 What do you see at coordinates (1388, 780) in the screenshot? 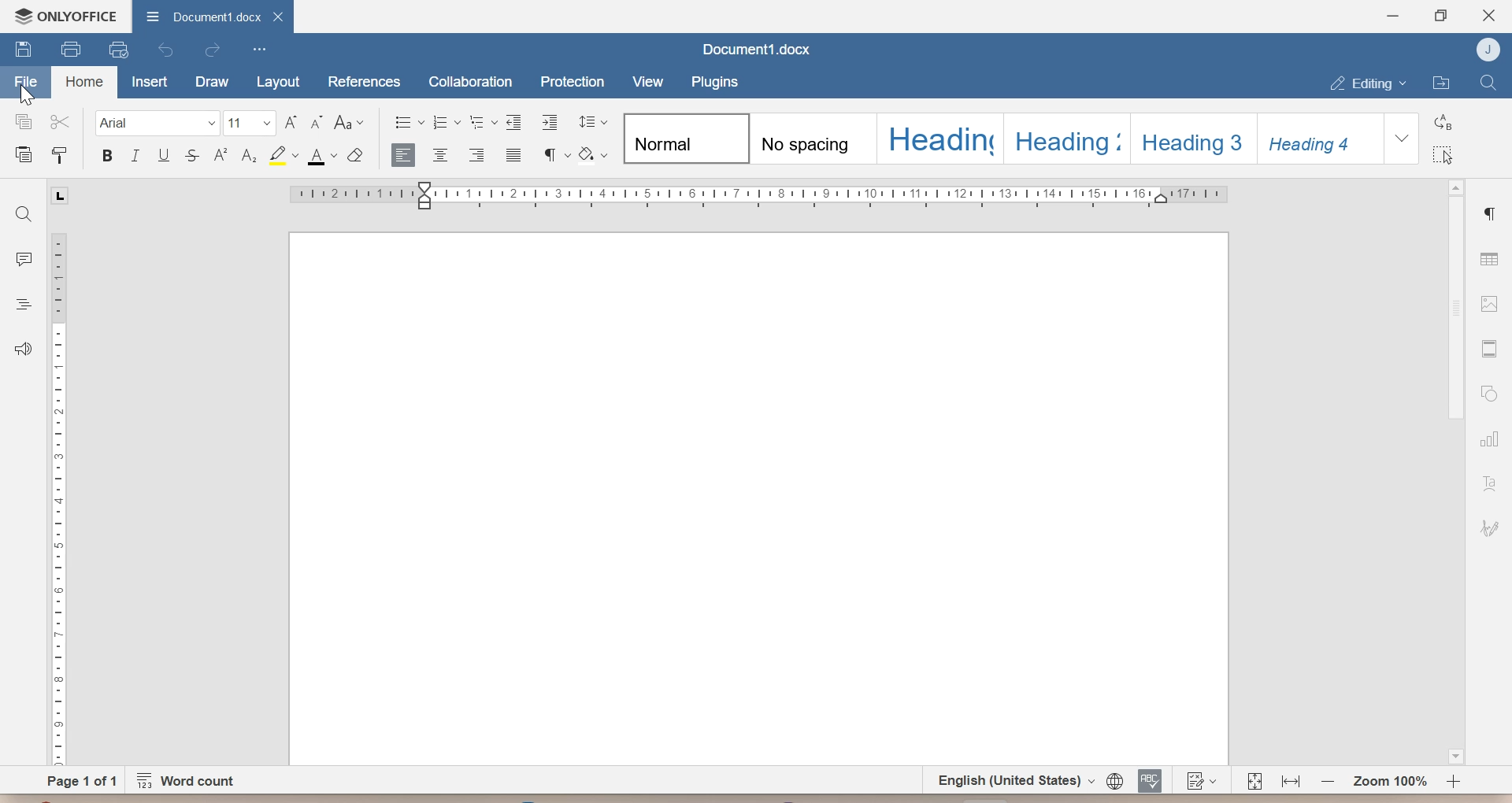
I see `Zoom` at bounding box center [1388, 780].